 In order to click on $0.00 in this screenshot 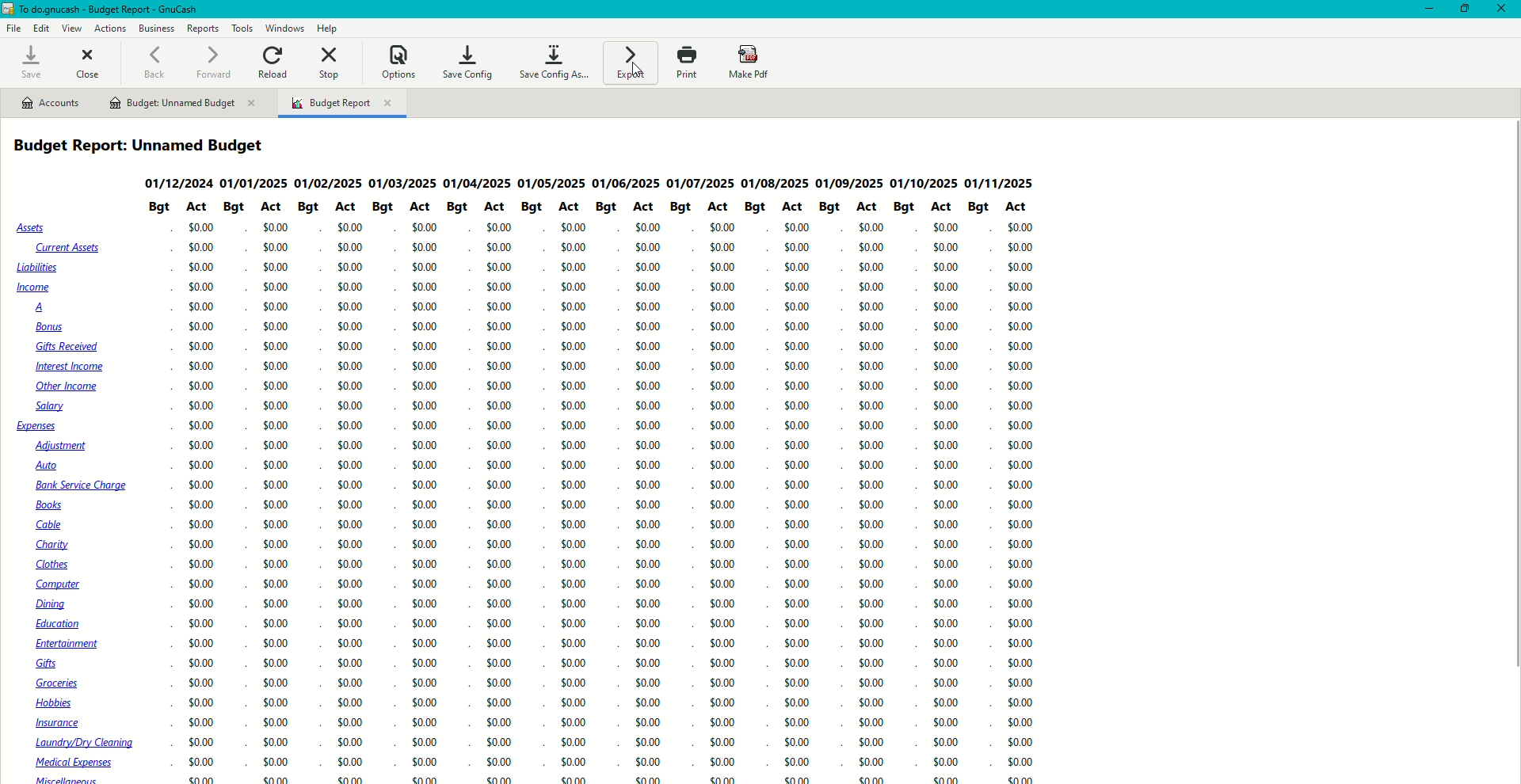, I will do `click(574, 603)`.